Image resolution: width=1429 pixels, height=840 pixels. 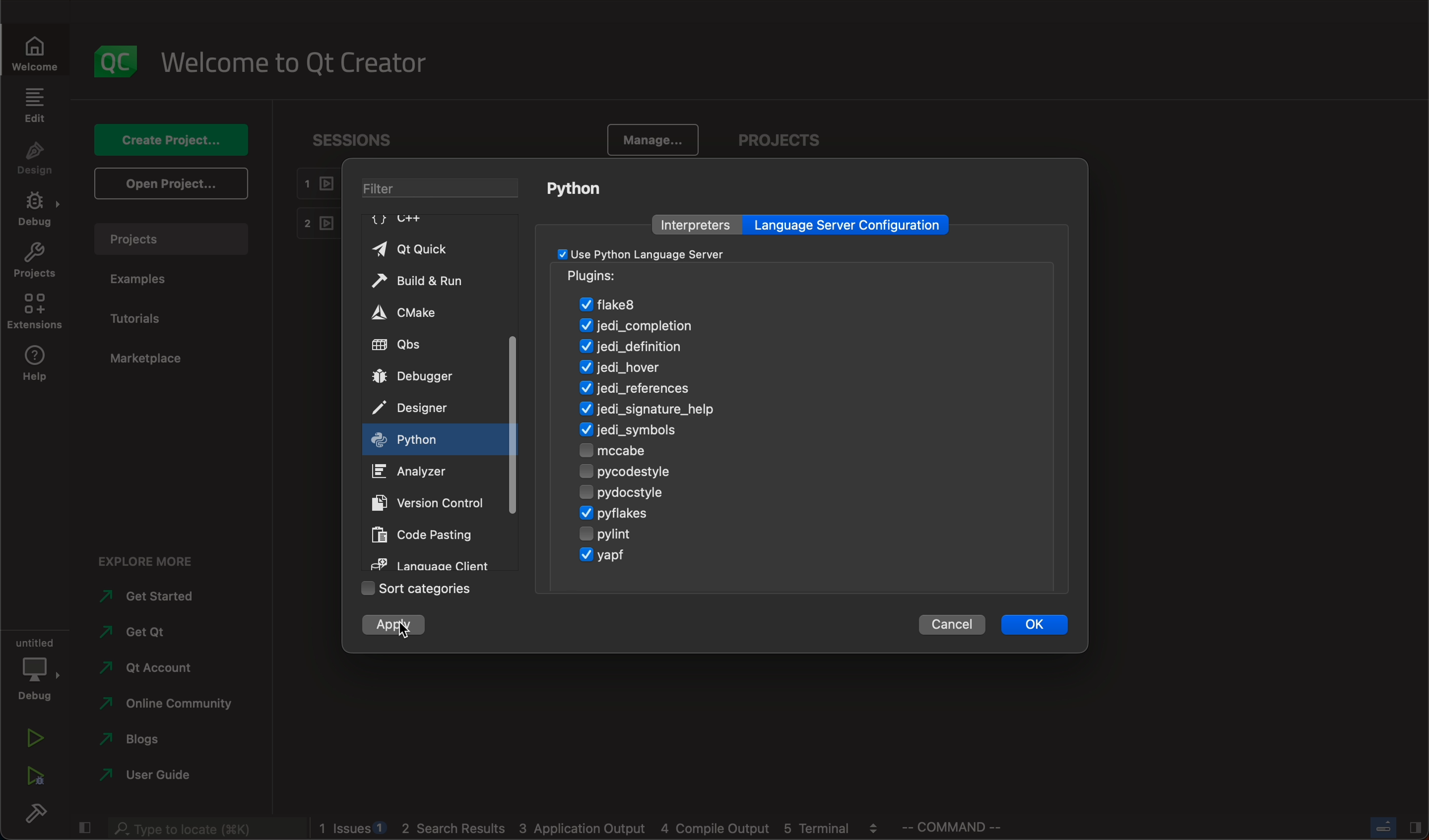 I want to click on language server, so click(x=851, y=224).